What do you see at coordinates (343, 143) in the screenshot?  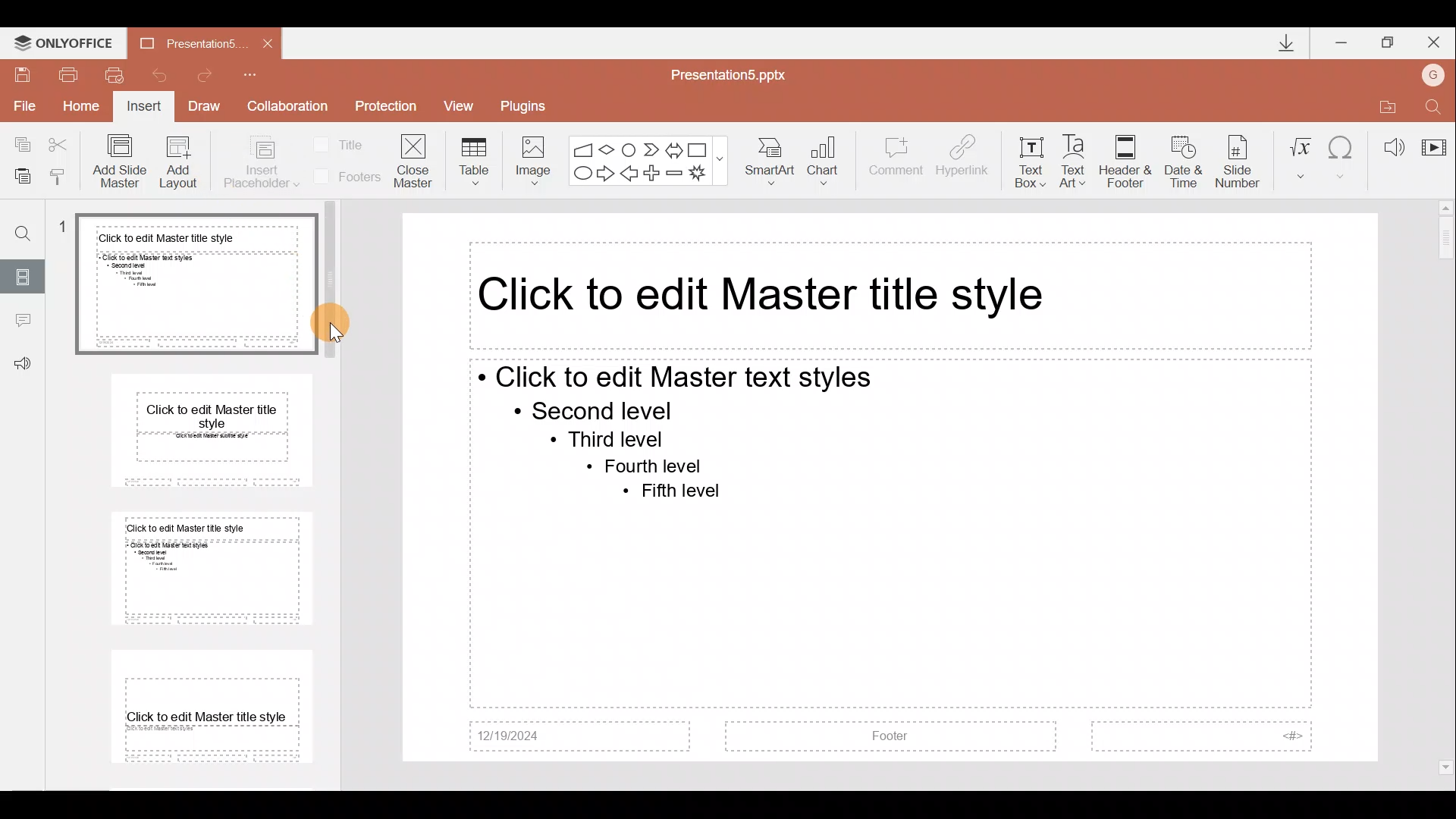 I see `Title` at bounding box center [343, 143].